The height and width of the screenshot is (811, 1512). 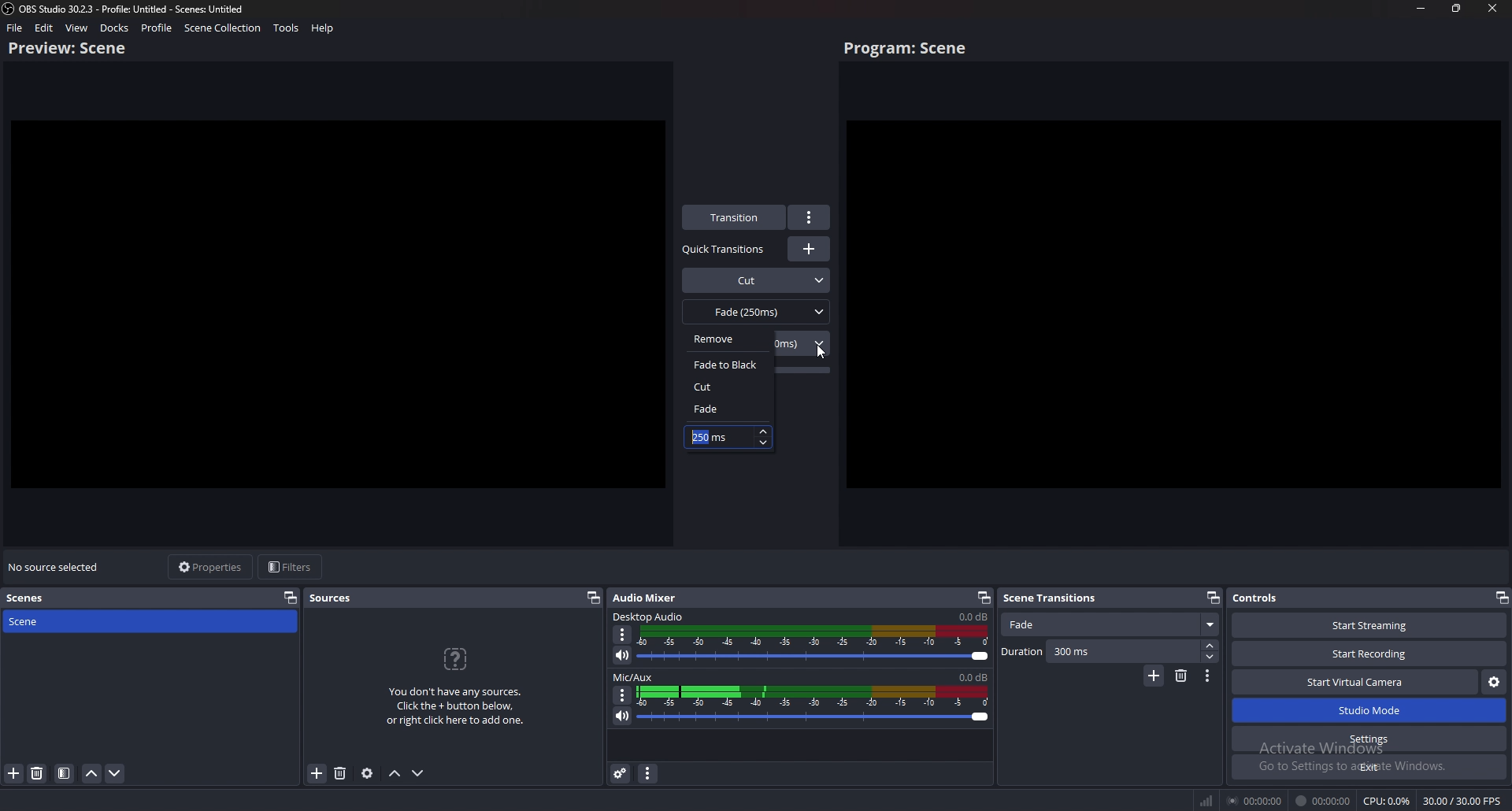 I want to click on transition, so click(x=736, y=217).